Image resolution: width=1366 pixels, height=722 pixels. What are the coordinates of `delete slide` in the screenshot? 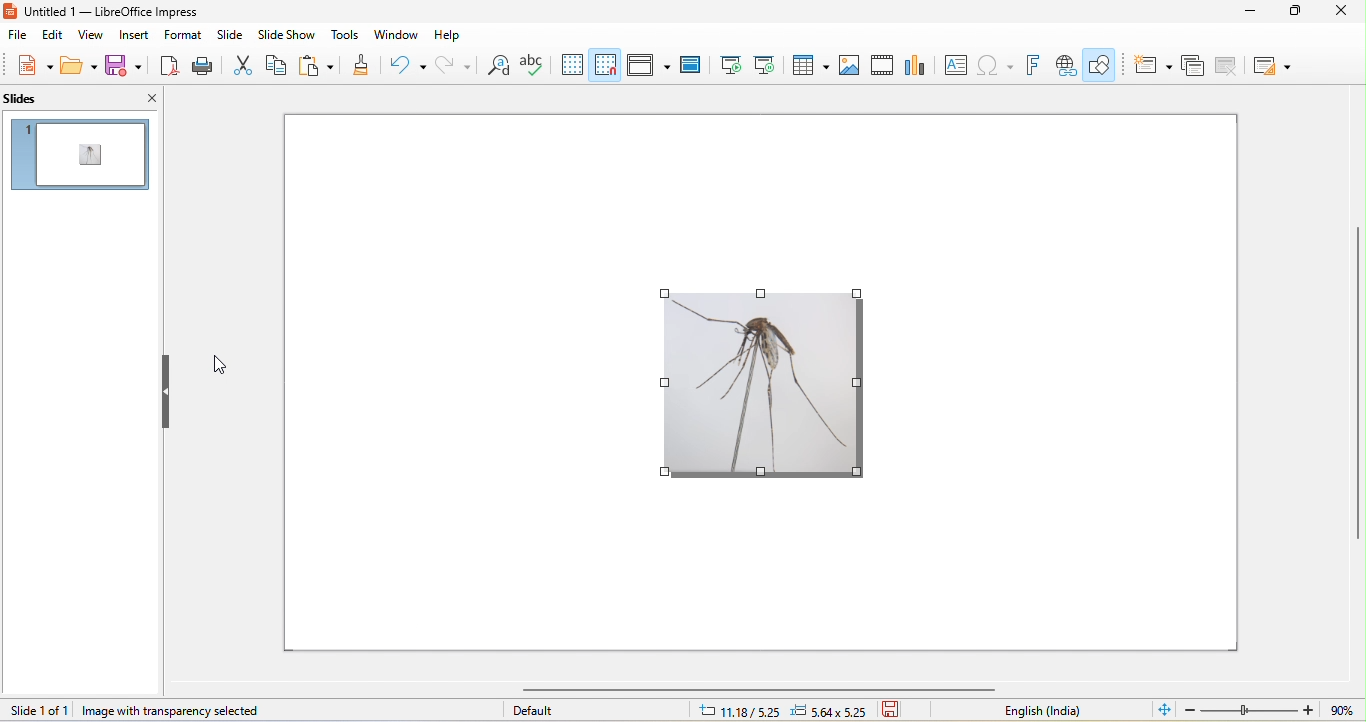 It's located at (1228, 66).